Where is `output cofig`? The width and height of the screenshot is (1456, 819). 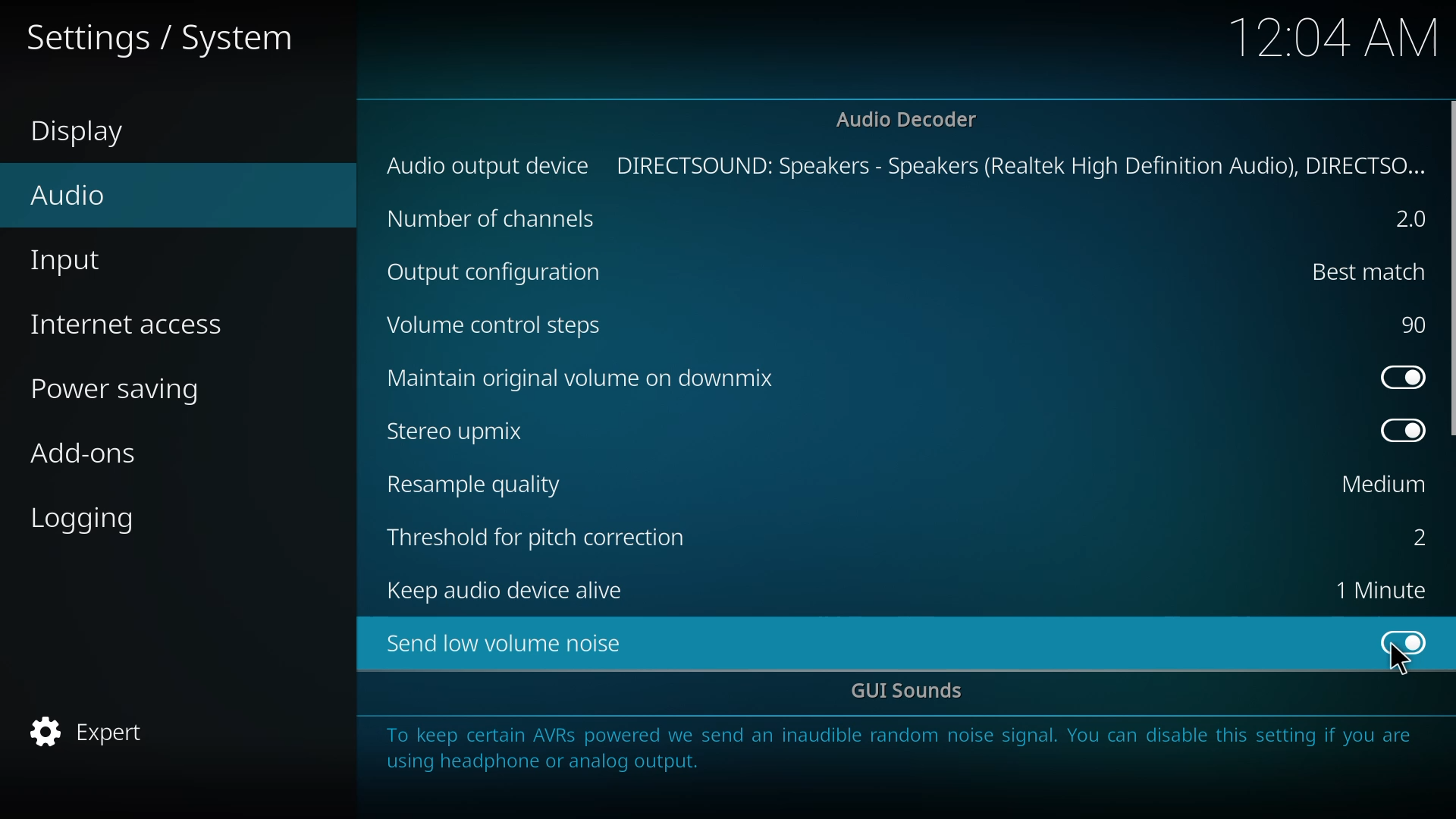
output cofig is located at coordinates (497, 270).